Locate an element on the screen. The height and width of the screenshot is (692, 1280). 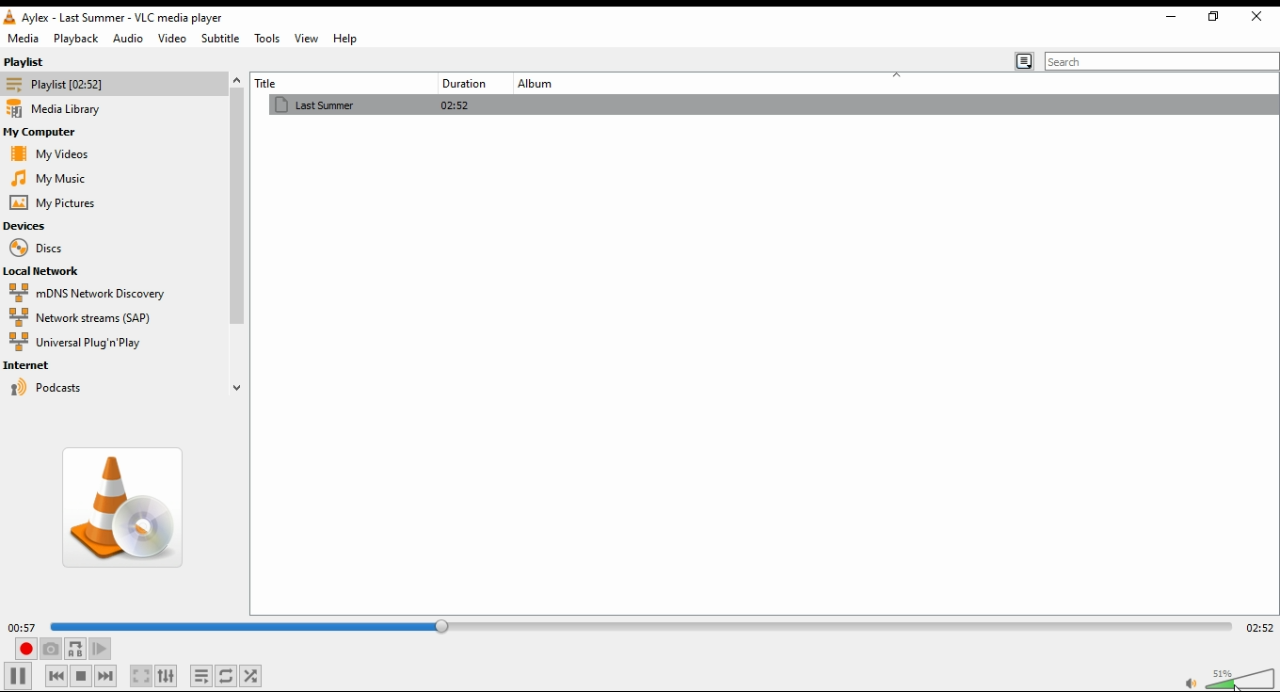
playlist is located at coordinates (64, 85).